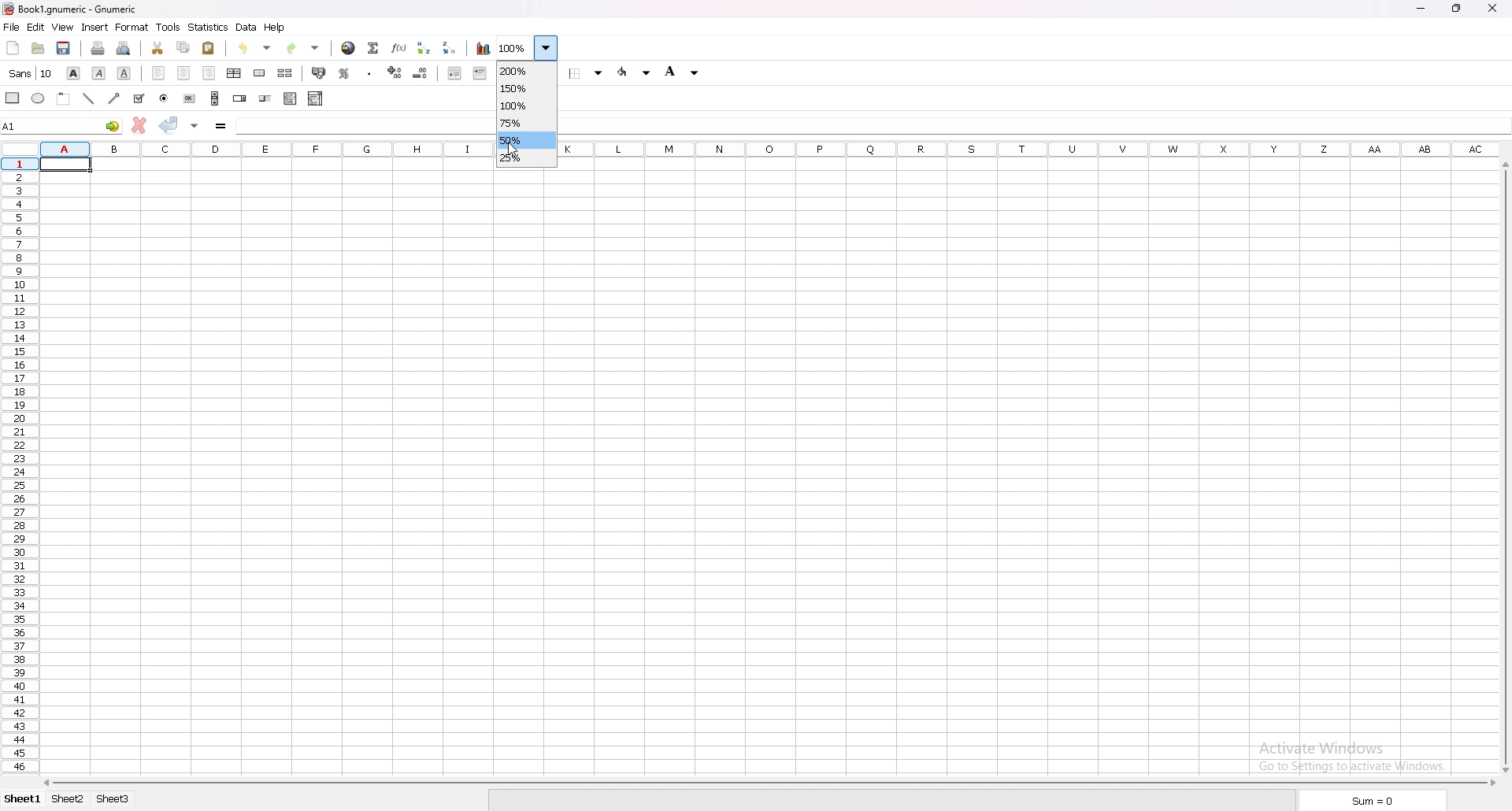 The width and height of the screenshot is (1512, 811). What do you see at coordinates (20, 800) in the screenshot?
I see `Sheet 1` at bounding box center [20, 800].